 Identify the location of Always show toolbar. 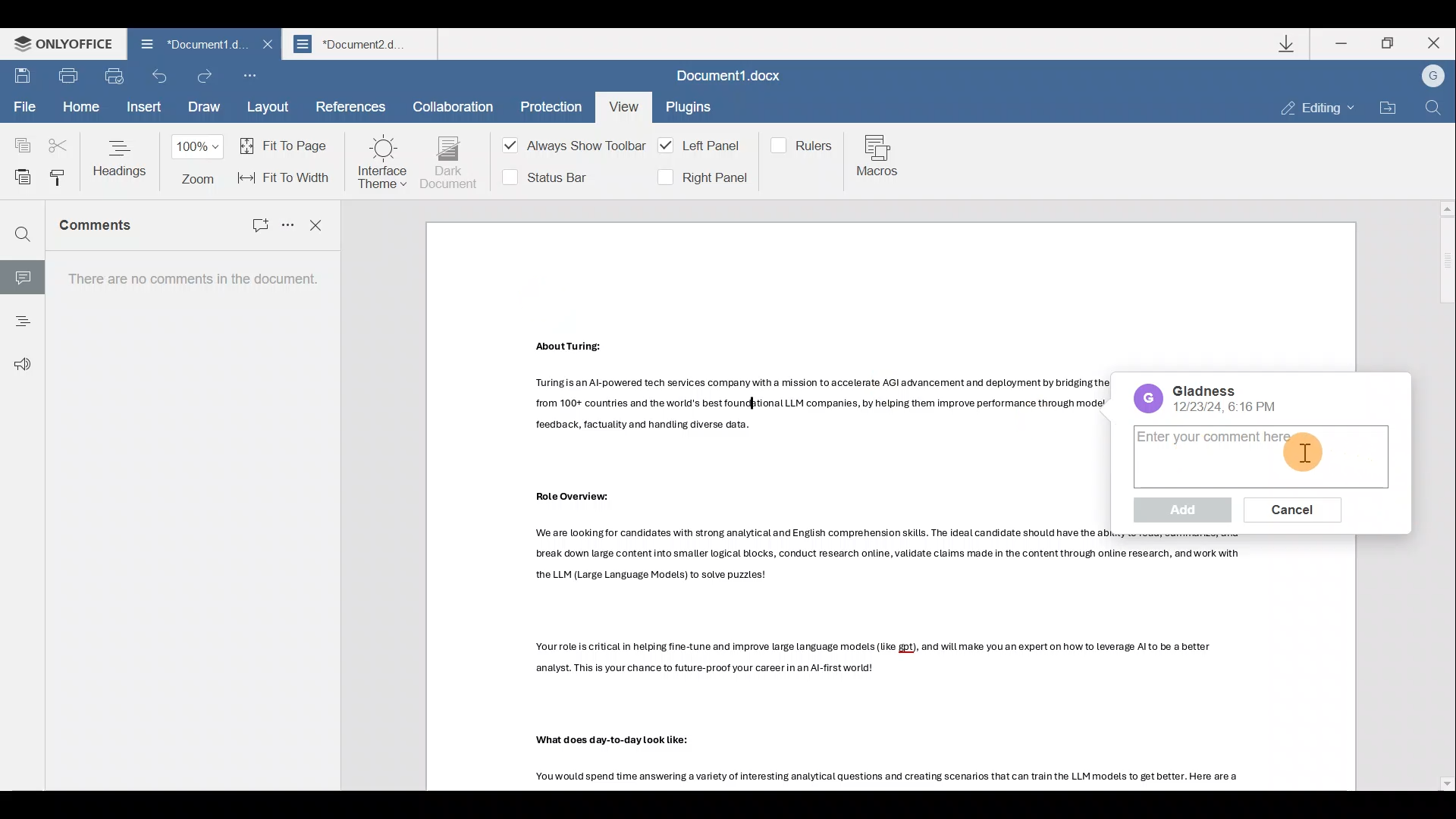
(569, 149).